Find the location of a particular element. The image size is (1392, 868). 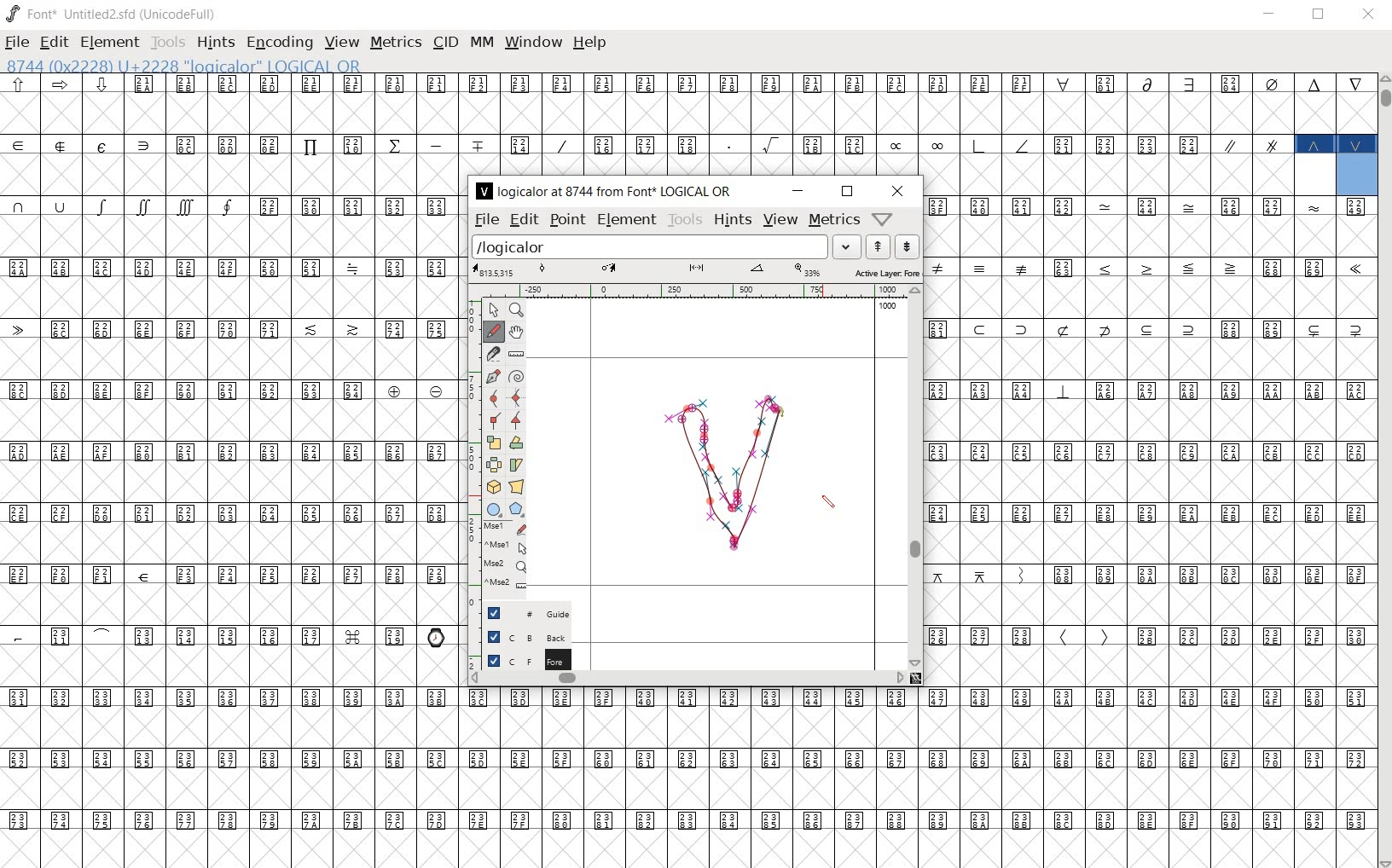

tools is located at coordinates (167, 43).